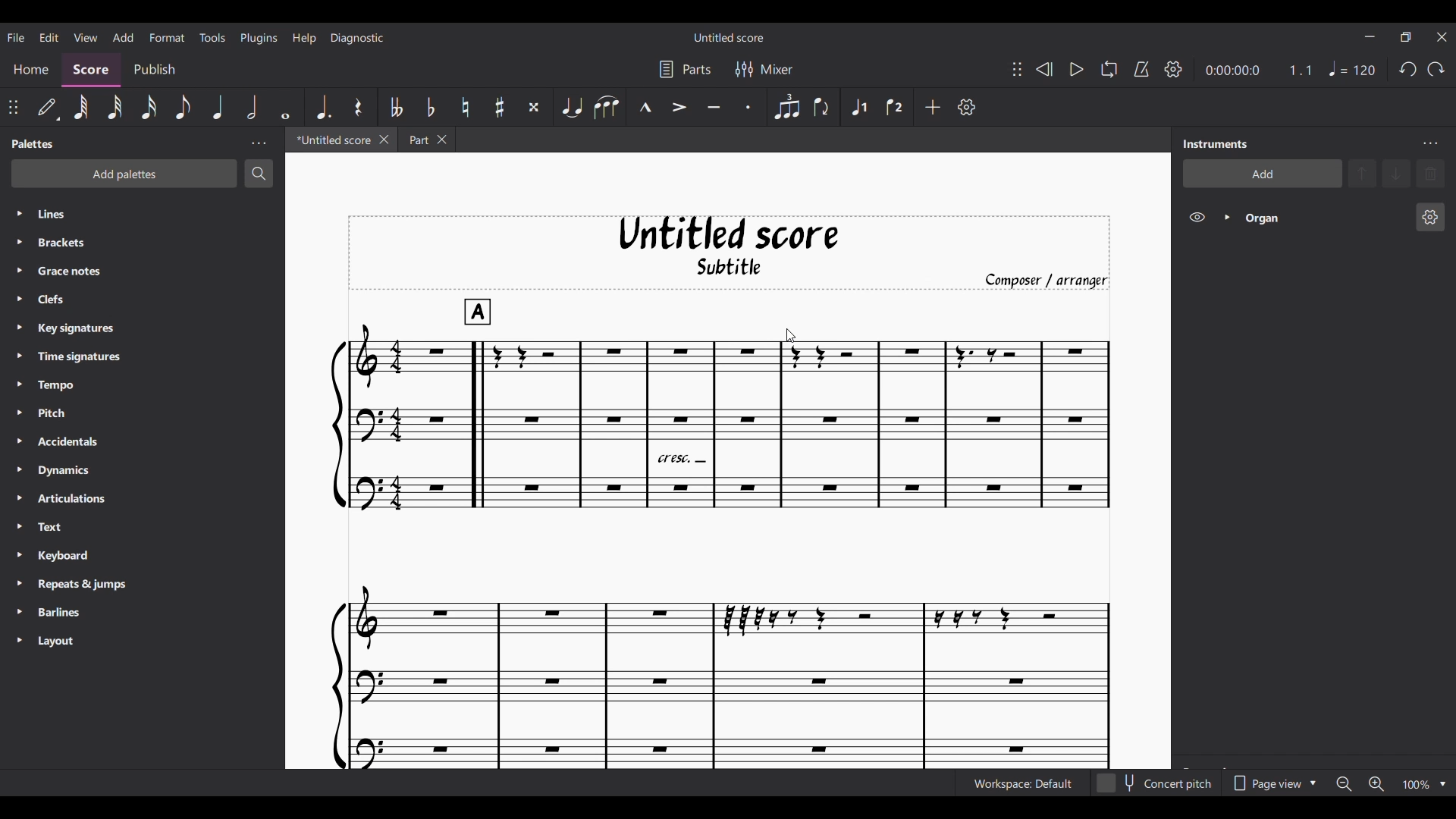 The image size is (1456, 819). What do you see at coordinates (357, 106) in the screenshot?
I see `Rest` at bounding box center [357, 106].